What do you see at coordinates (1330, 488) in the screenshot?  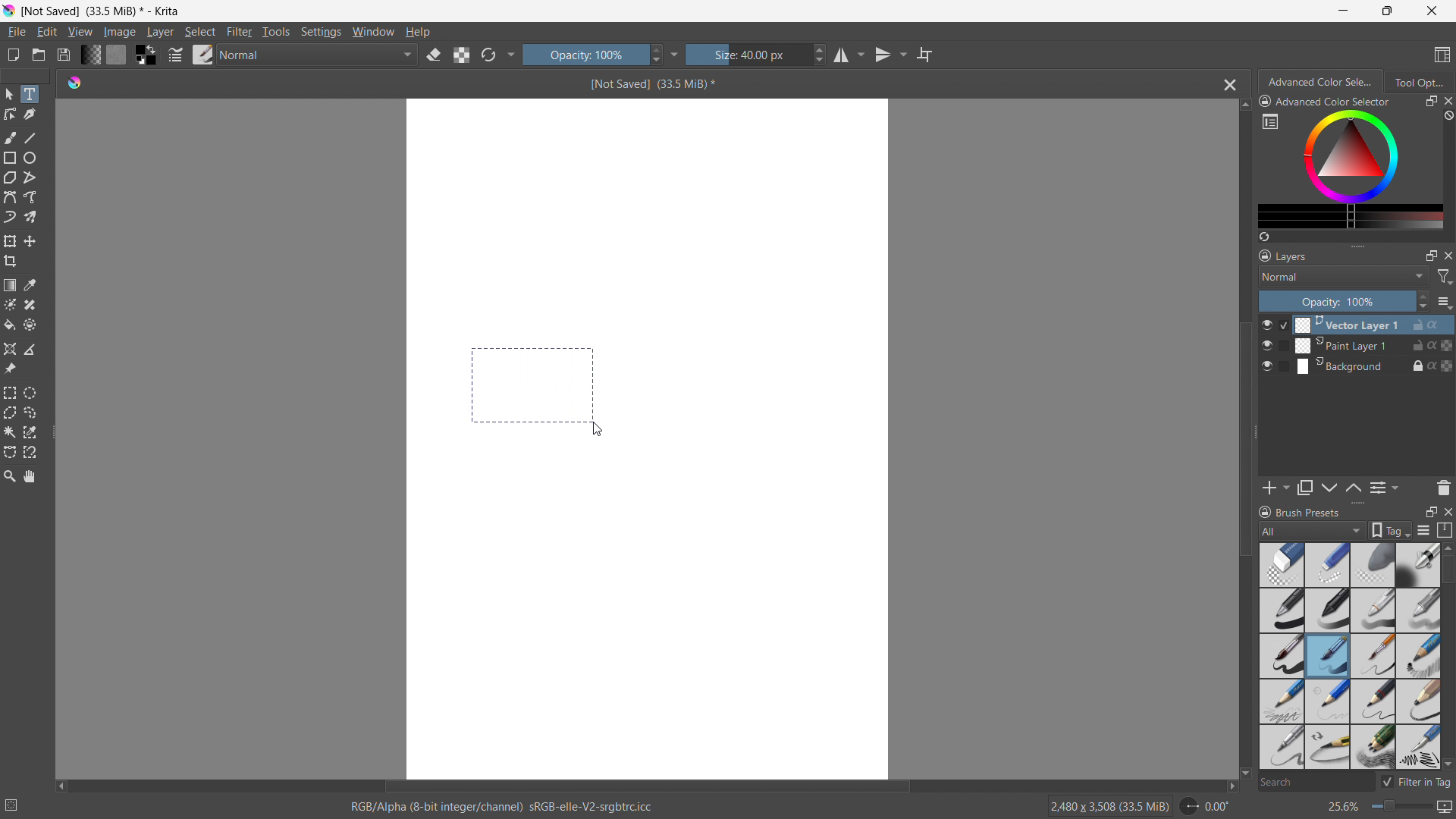 I see `move layer up` at bounding box center [1330, 488].